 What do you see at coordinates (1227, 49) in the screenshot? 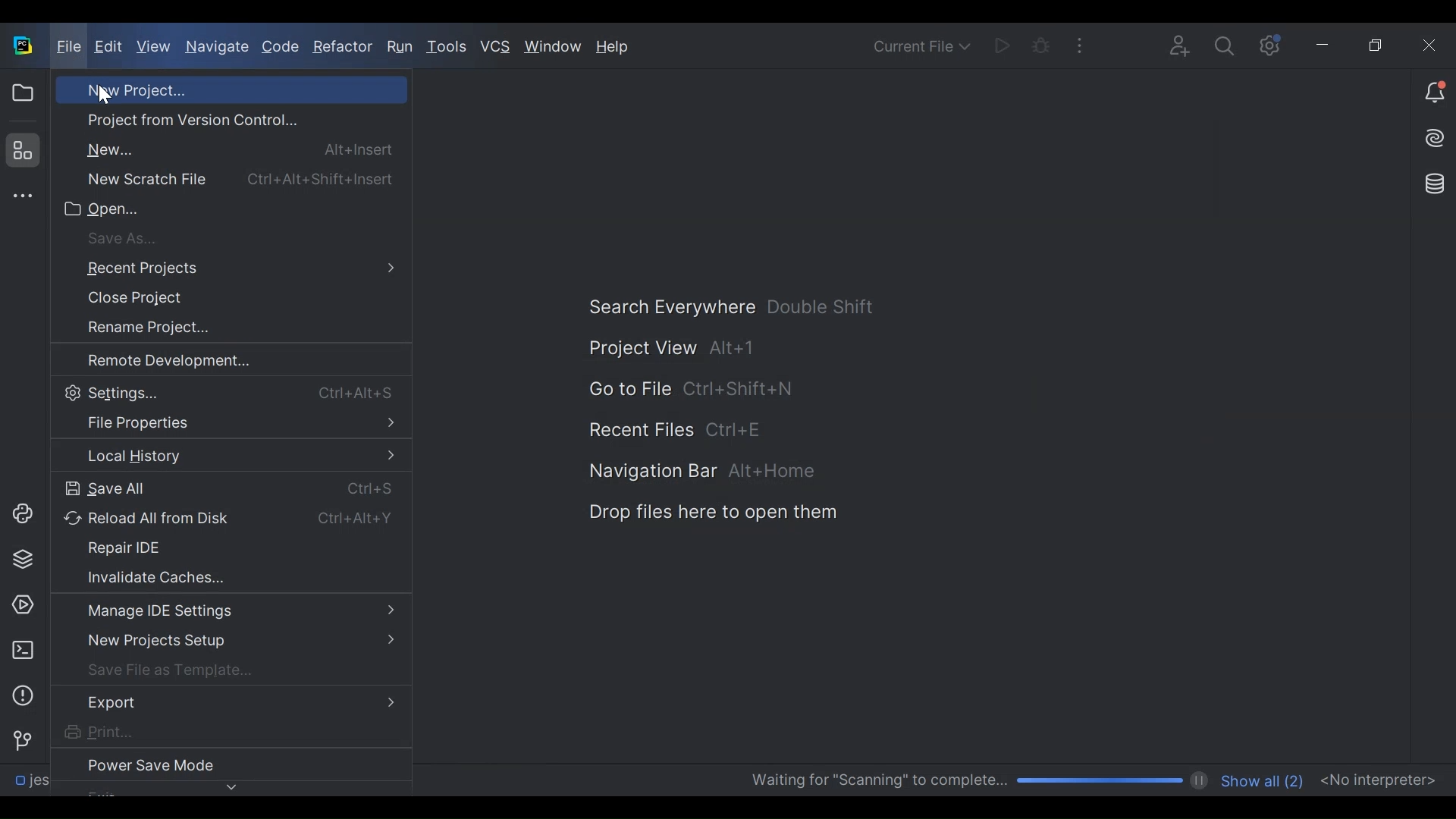
I see `Search` at bounding box center [1227, 49].